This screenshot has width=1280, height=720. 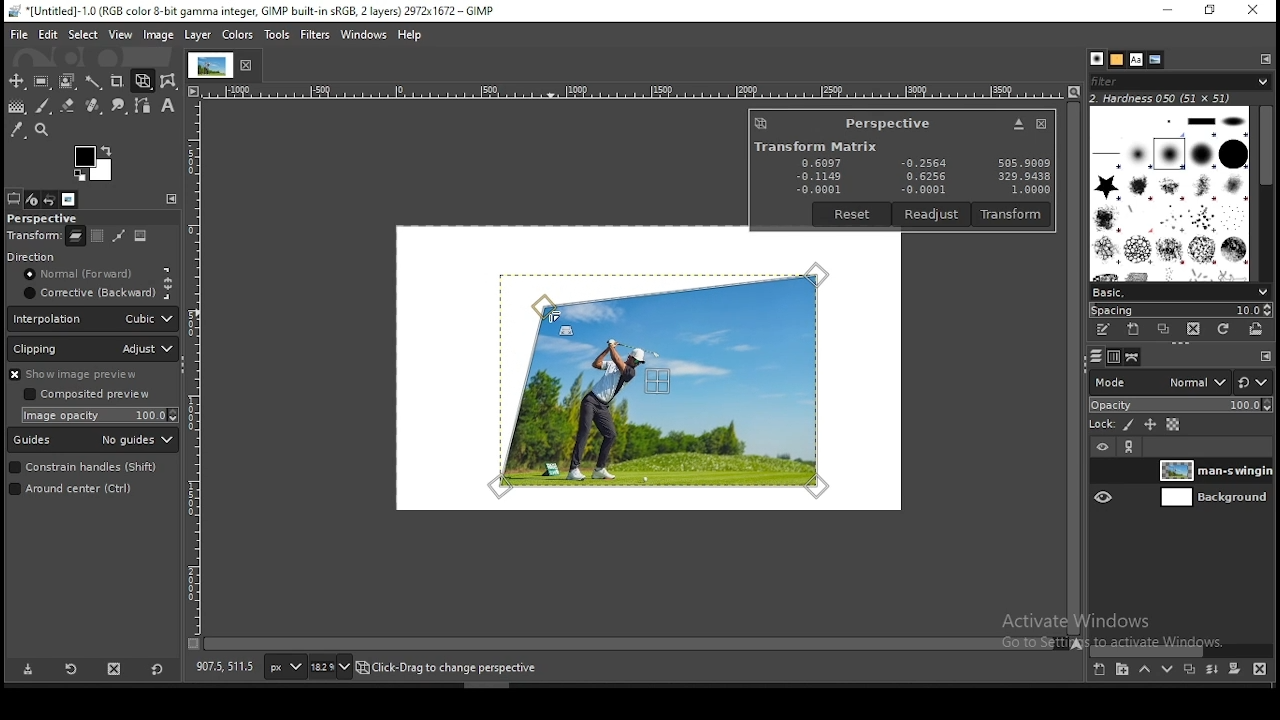 What do you see at coordinates (68, 82) in the screenshot?
I see `foreground select tool` at bounding box center [68, 82].